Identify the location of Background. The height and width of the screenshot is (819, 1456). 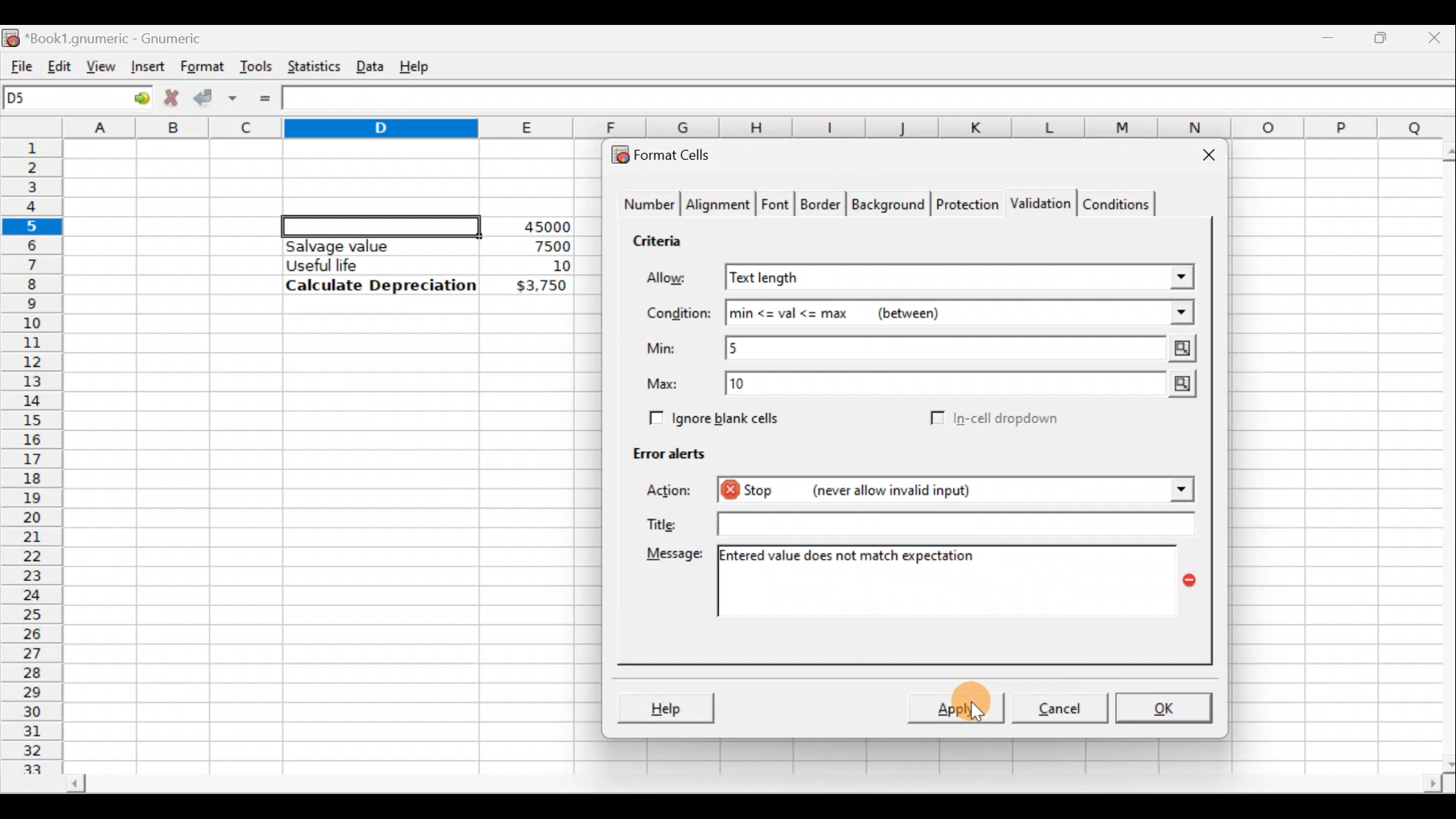
(887, 203).